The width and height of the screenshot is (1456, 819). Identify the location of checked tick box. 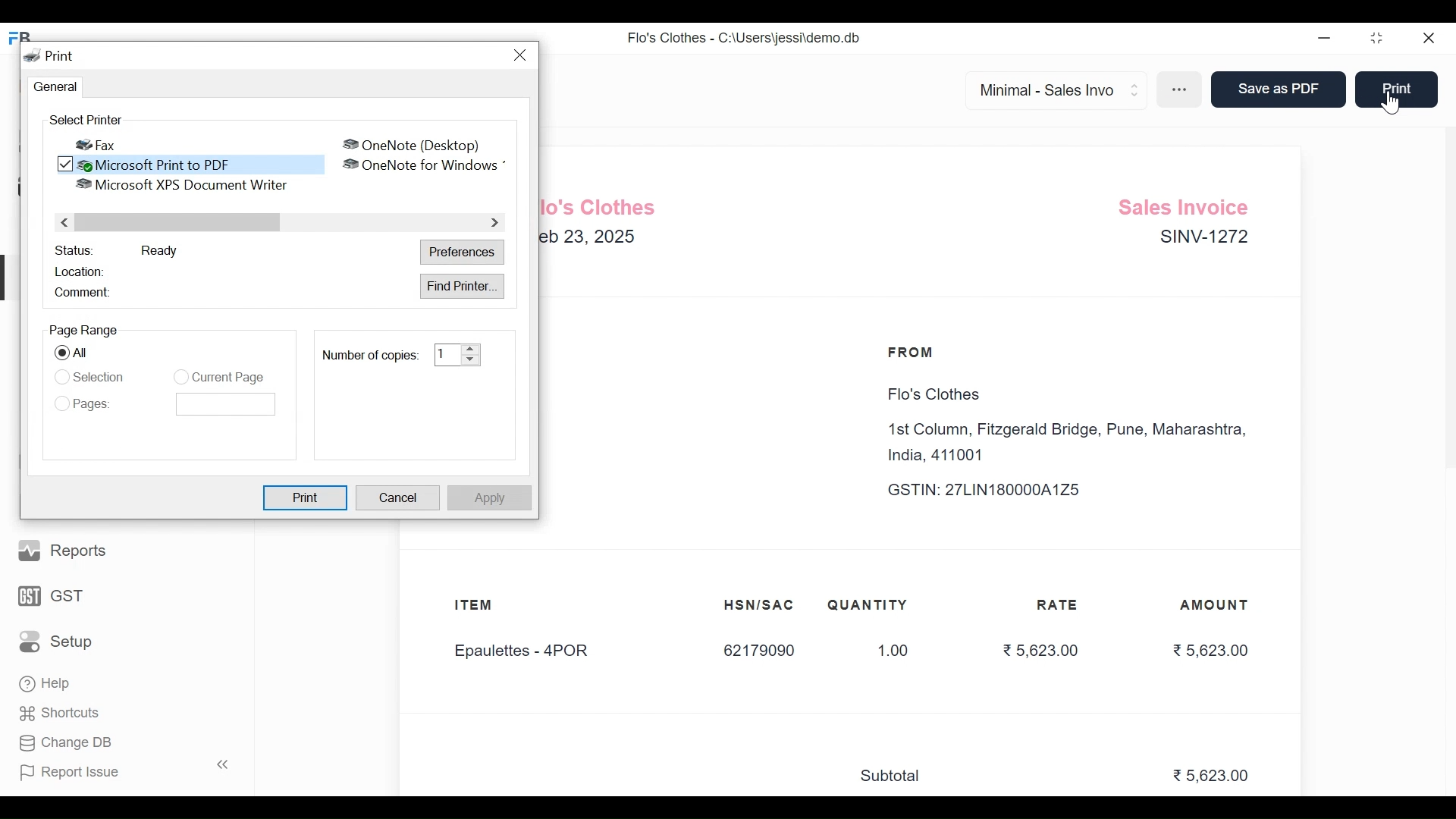
(66, 165).